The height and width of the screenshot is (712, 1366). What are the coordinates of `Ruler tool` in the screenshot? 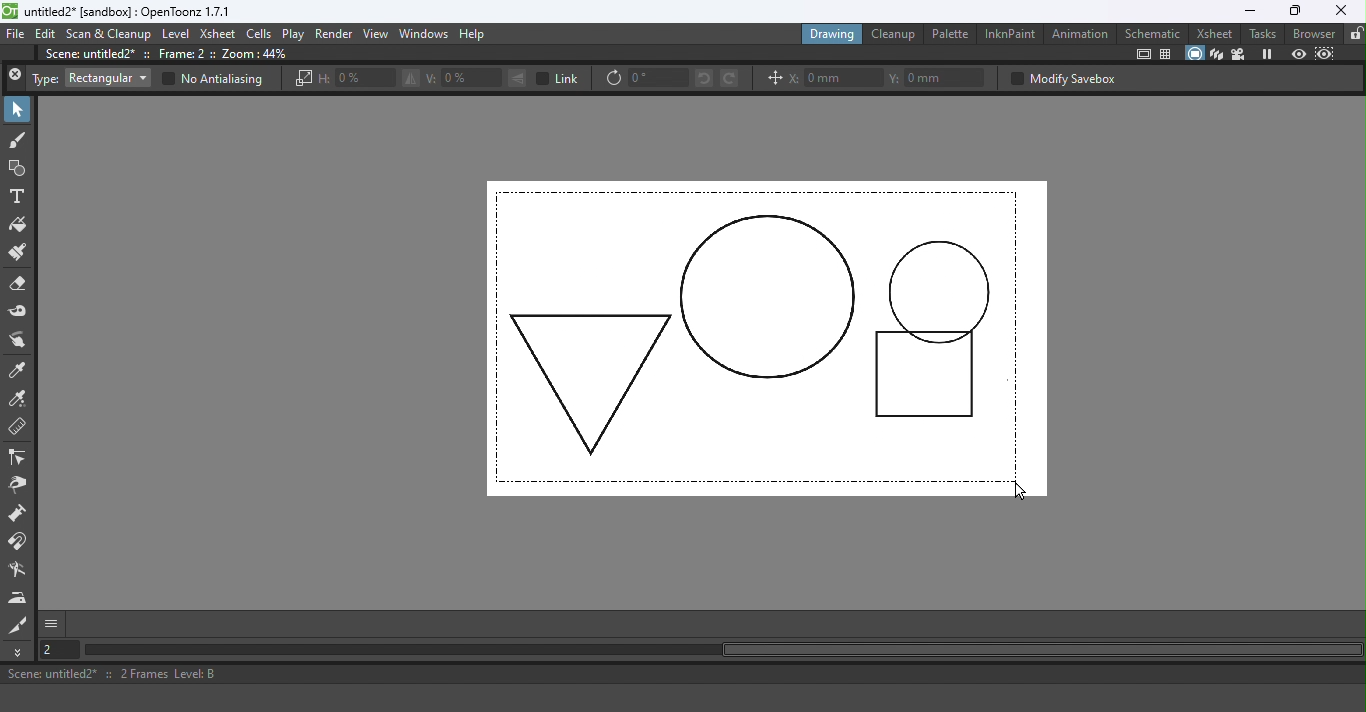 It's located at (18, 428).